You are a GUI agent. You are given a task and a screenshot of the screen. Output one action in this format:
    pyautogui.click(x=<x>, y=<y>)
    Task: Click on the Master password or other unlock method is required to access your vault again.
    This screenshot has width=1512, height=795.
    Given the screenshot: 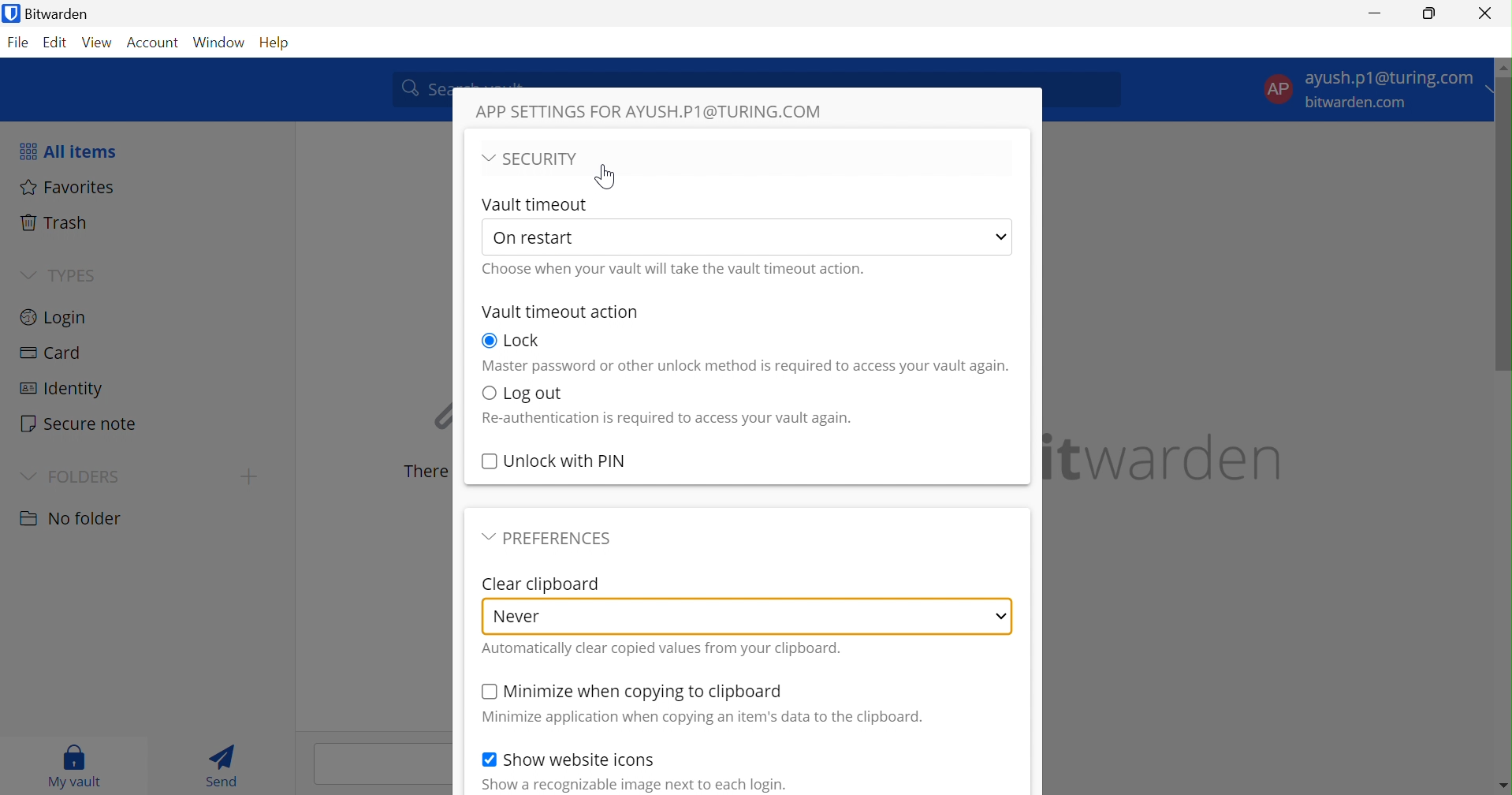 What is the action you would take?
    pyautogui.click(x=745, y=366)
    